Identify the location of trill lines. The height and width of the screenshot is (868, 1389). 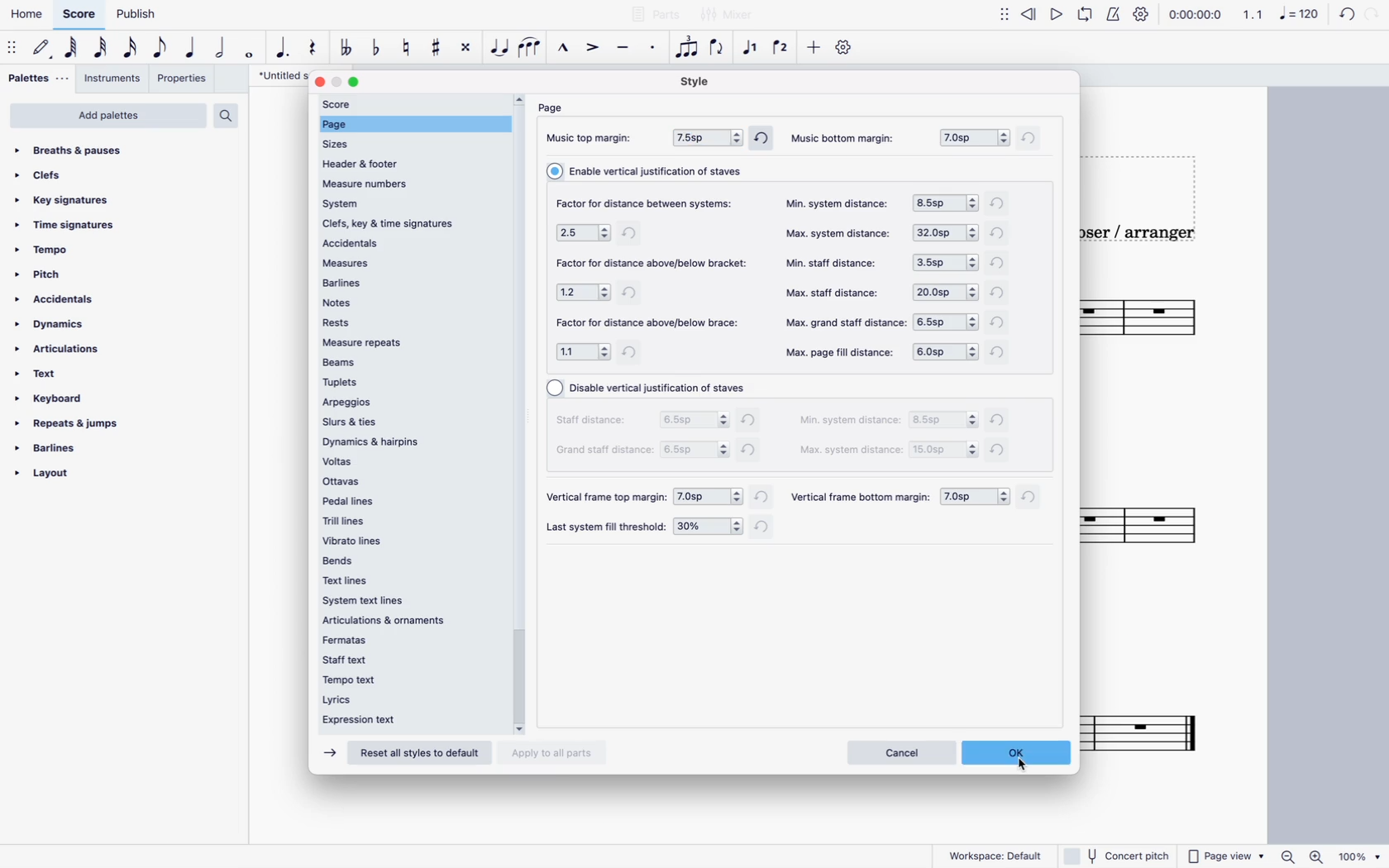
(408, 519).